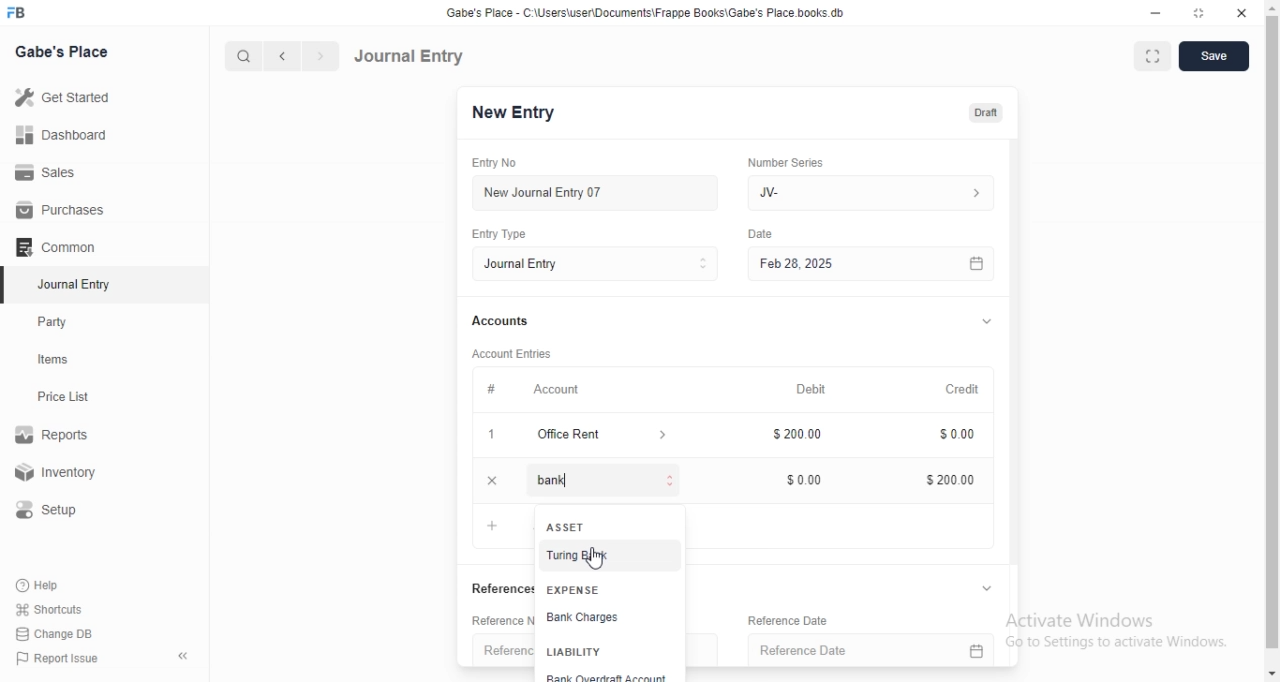 This screenshot has height=682, width=1280. Describe the element at coordinates (1162, 11) in the screenshot. I see `minimize` at that location.